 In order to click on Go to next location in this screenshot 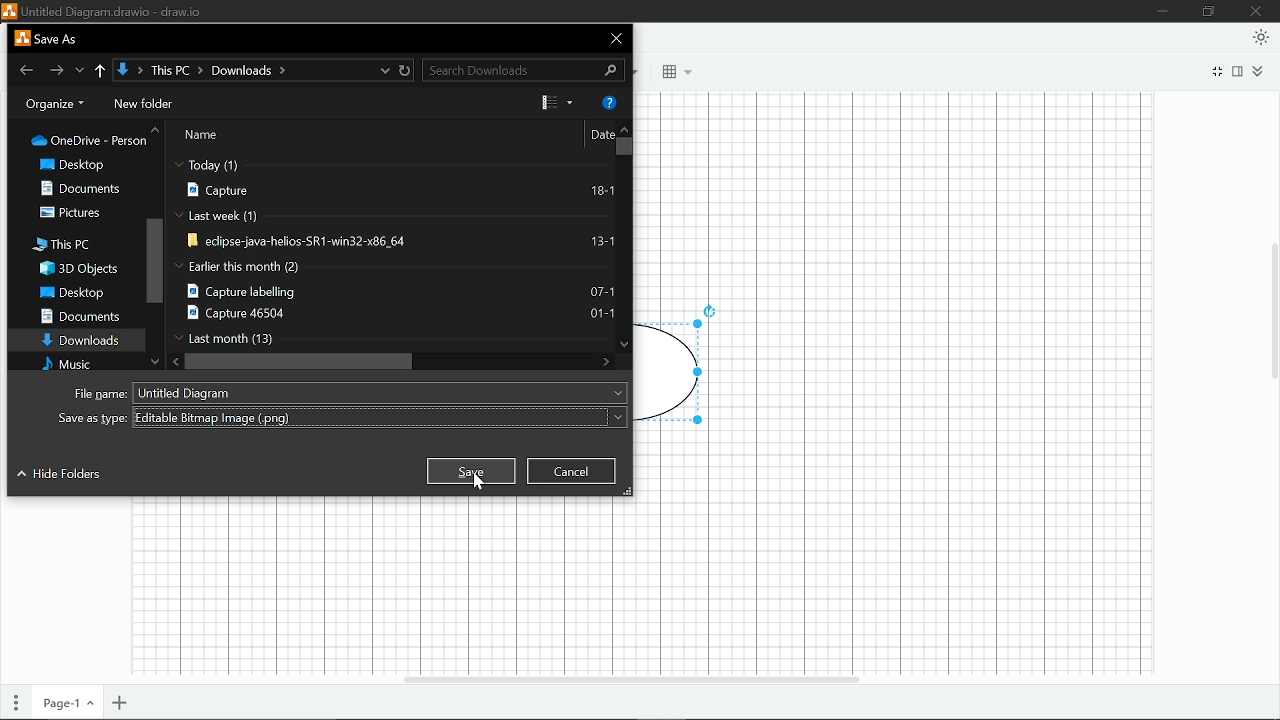, I will do `click(55, 70)`.